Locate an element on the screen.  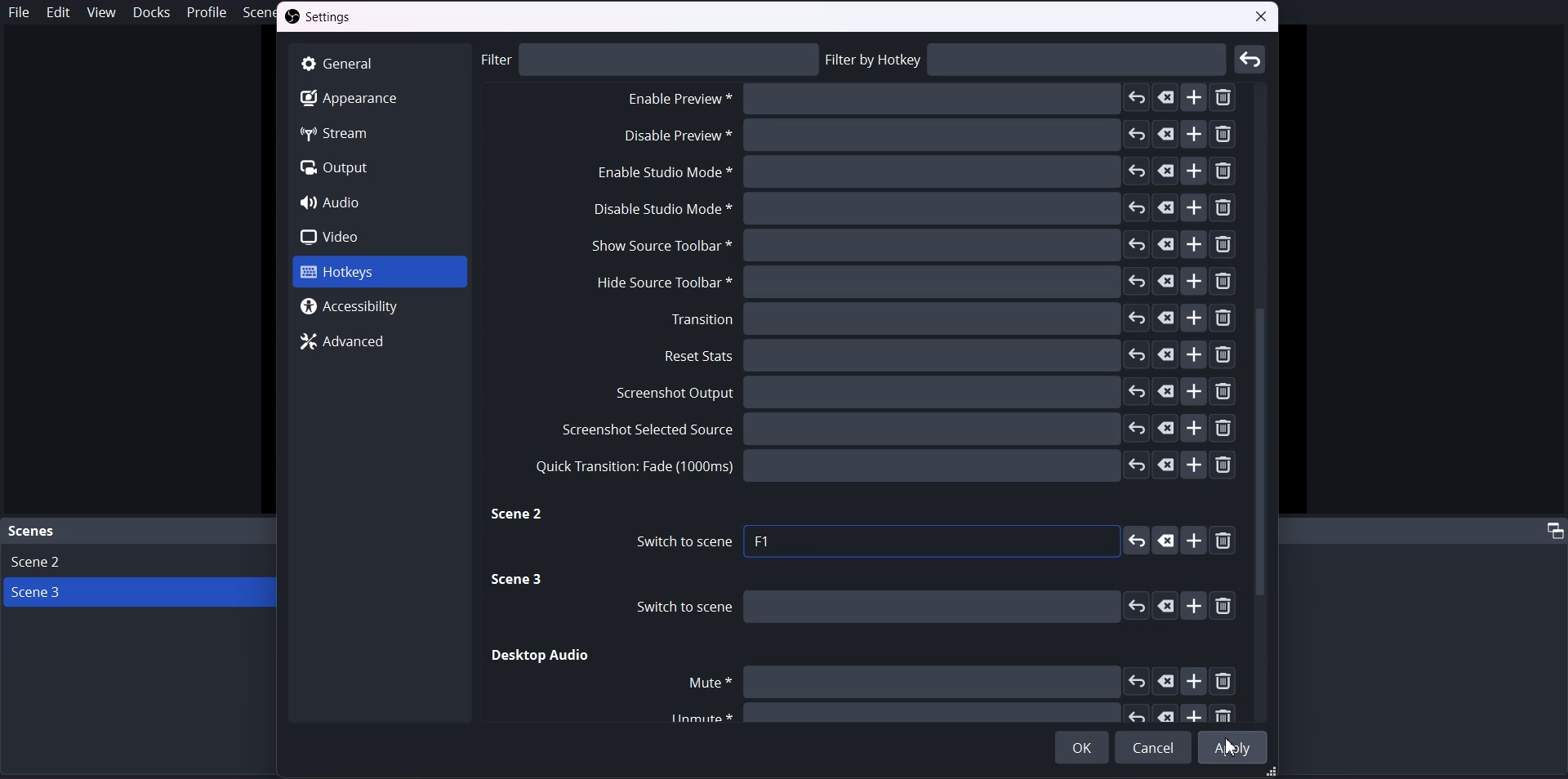
Switch to scene is located at coordinates (678, 542).